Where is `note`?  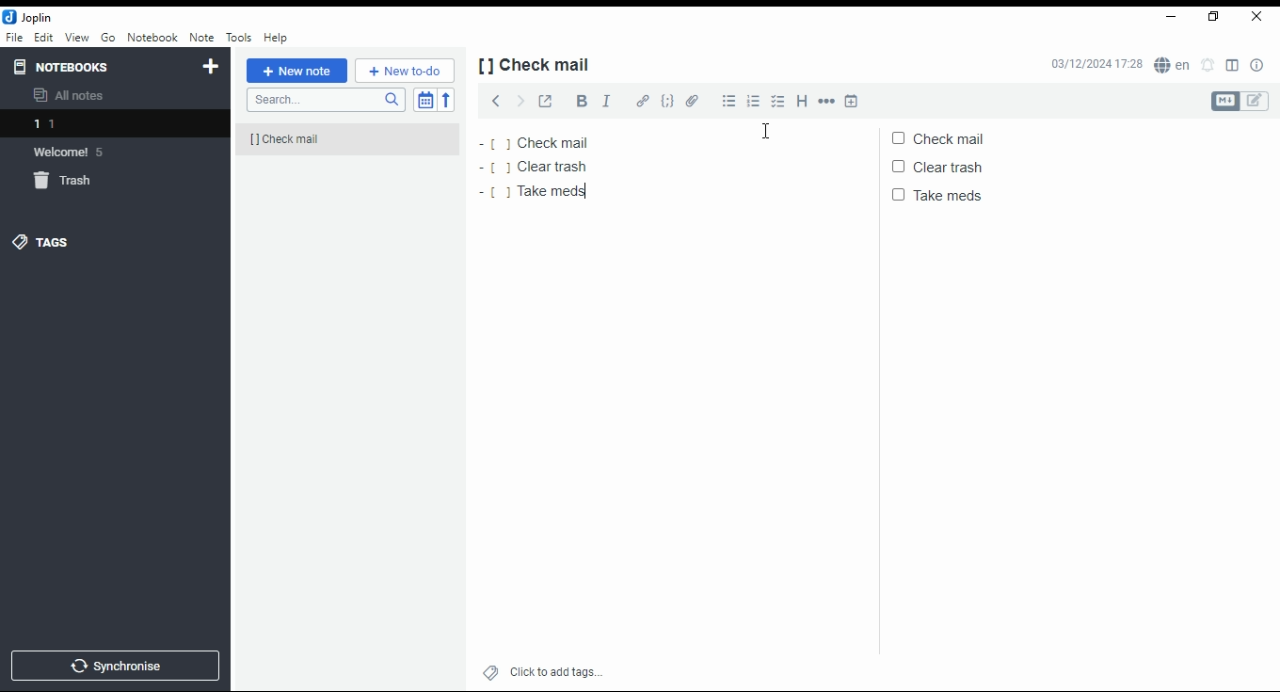 note is located at coordinates (201, 38).